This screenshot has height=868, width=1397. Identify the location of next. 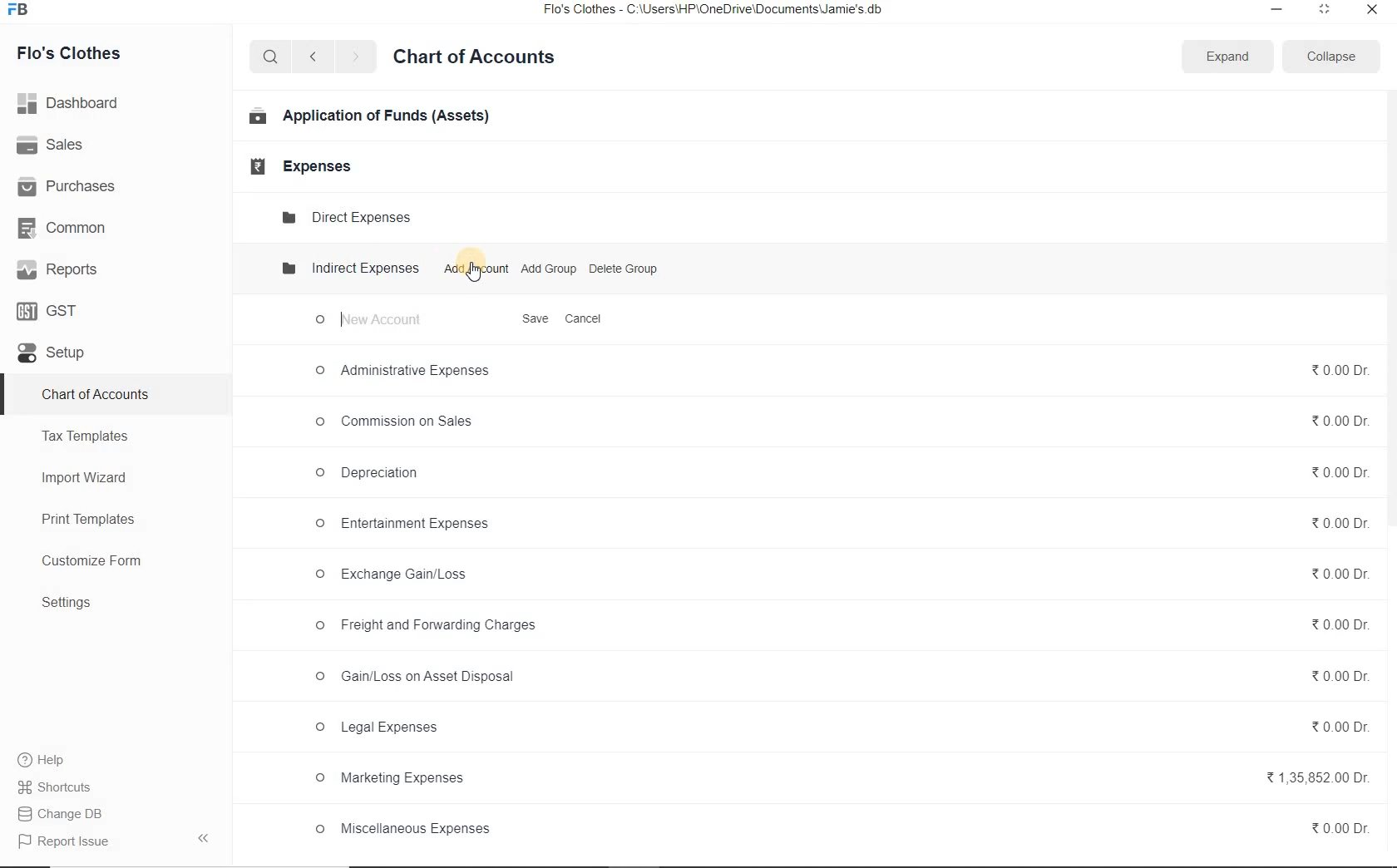
(355, 58).